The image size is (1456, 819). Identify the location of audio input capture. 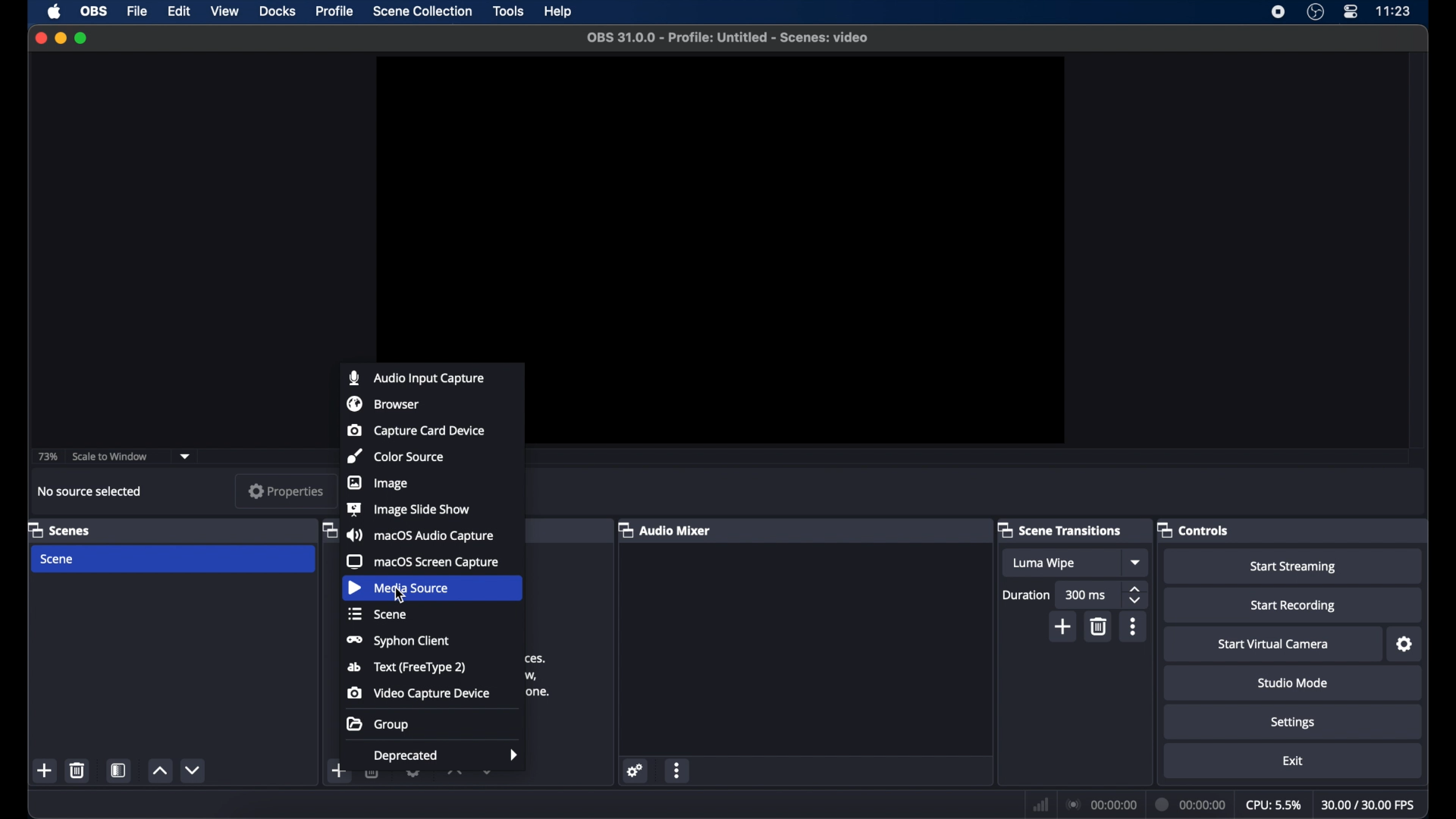
(415, 378).